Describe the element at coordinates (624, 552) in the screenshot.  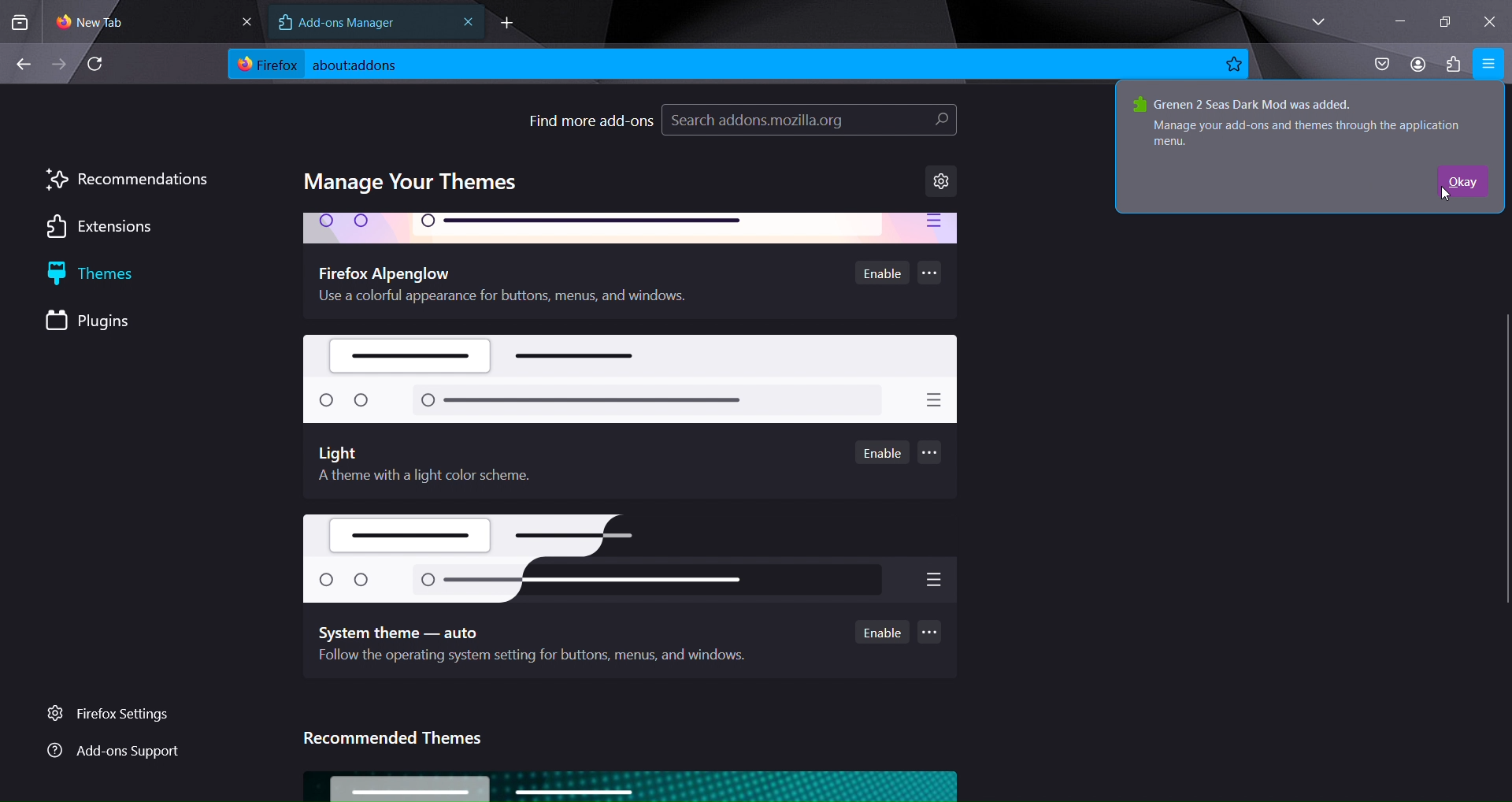
I see `` at that location.